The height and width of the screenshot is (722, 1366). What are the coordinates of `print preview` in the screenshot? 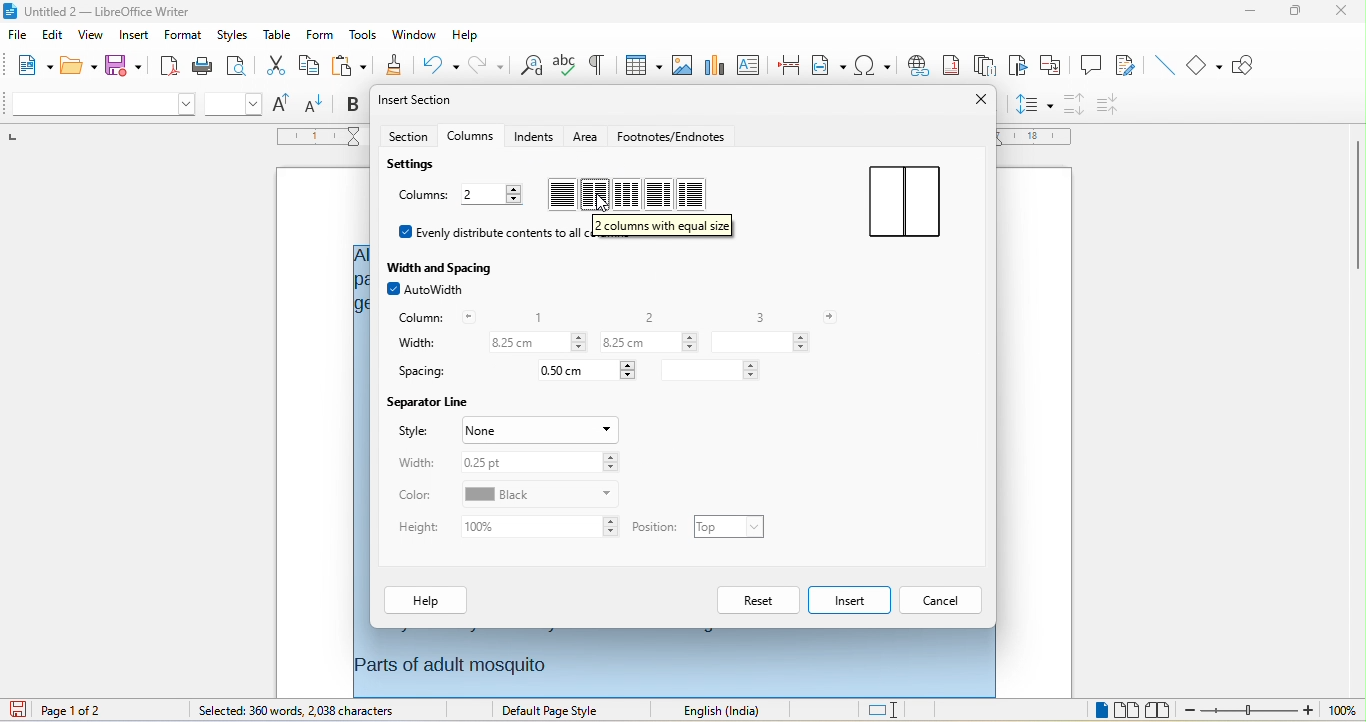 It's located at (237, 68).